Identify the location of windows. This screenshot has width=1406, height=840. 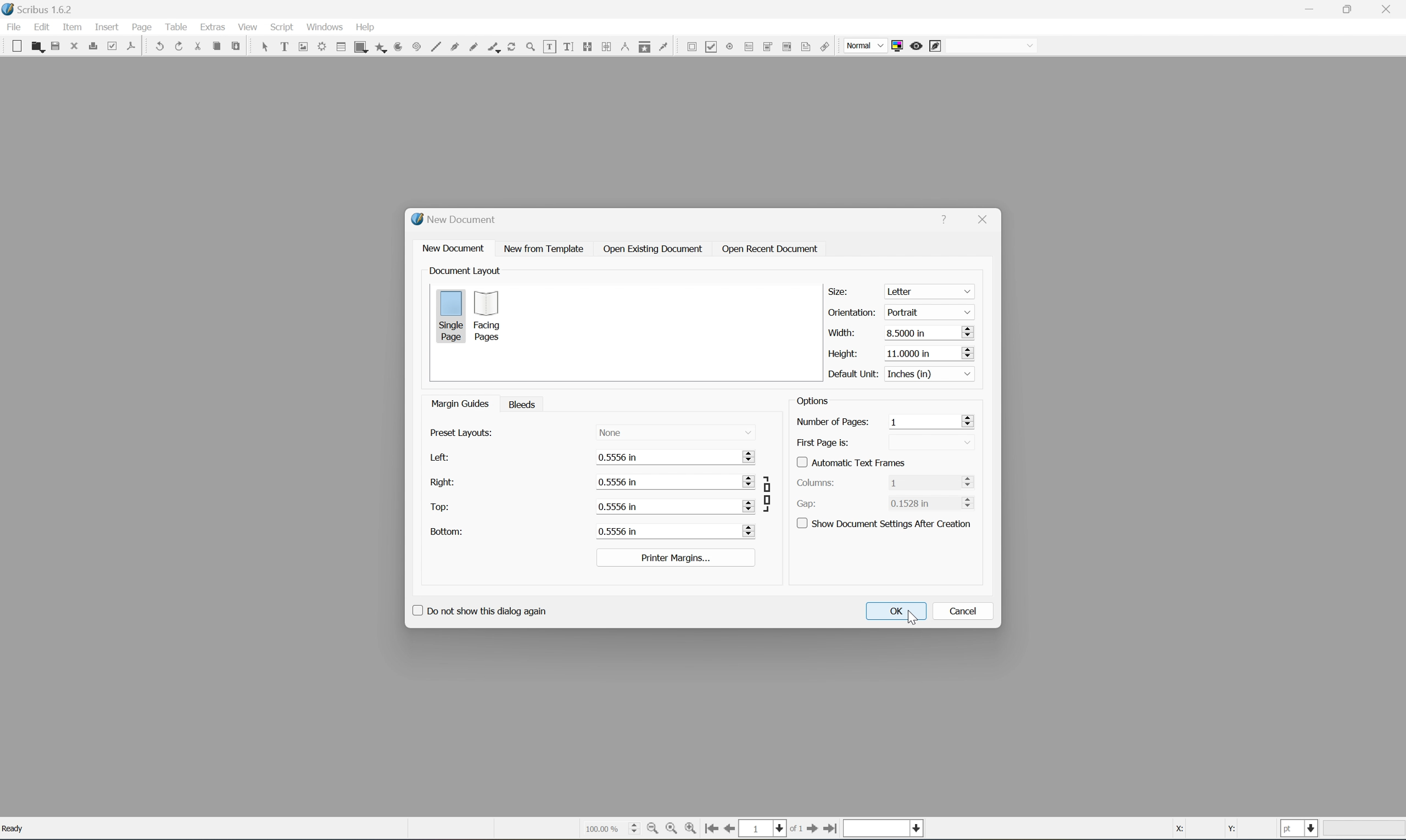
(327, 28).